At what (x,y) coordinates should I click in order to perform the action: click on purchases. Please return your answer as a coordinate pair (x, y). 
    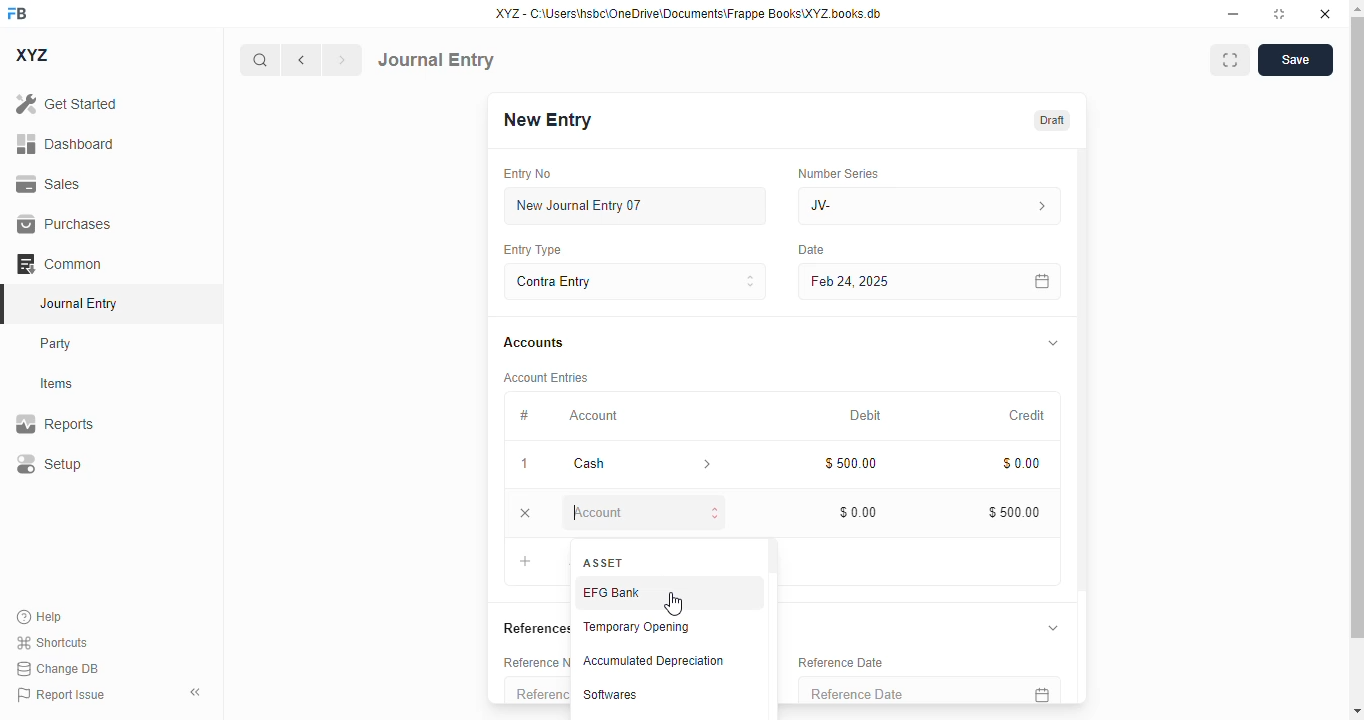
    Looking at the image, I should click on (66, 224).